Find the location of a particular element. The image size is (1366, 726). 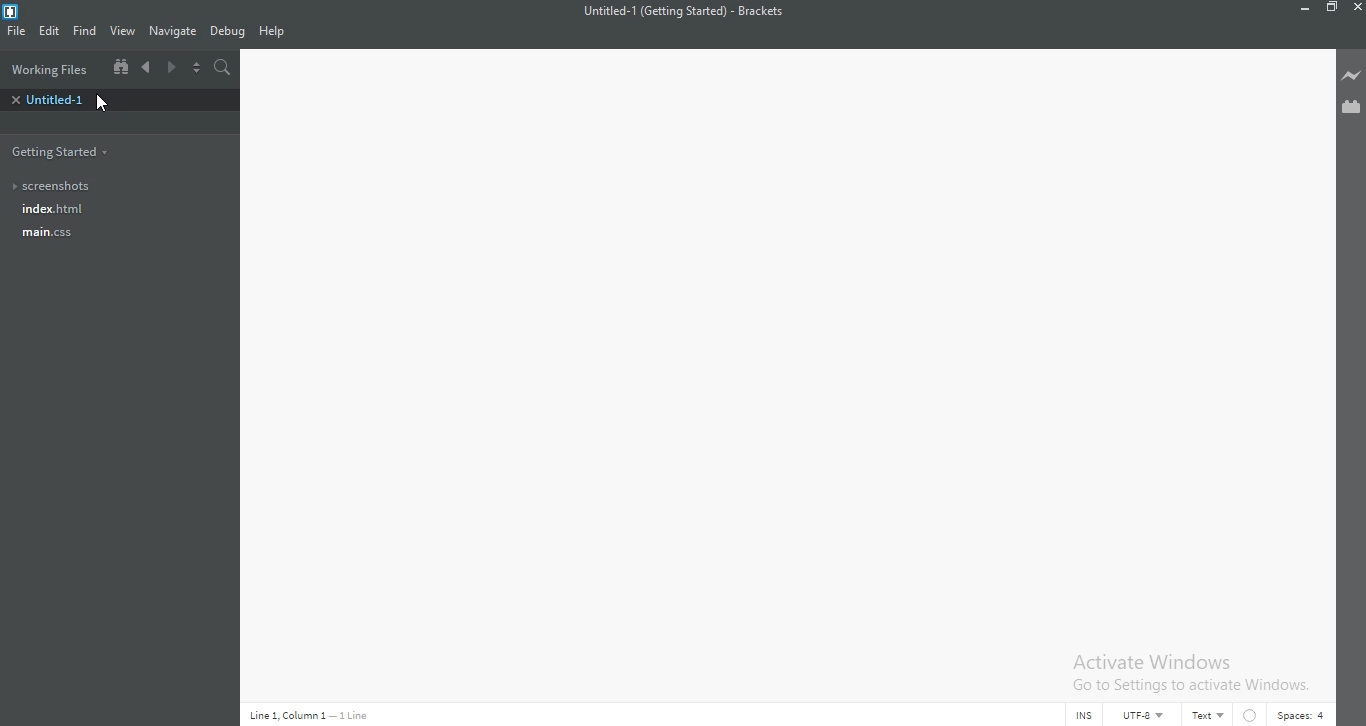

Index.html is located at coordinates (52, 210).